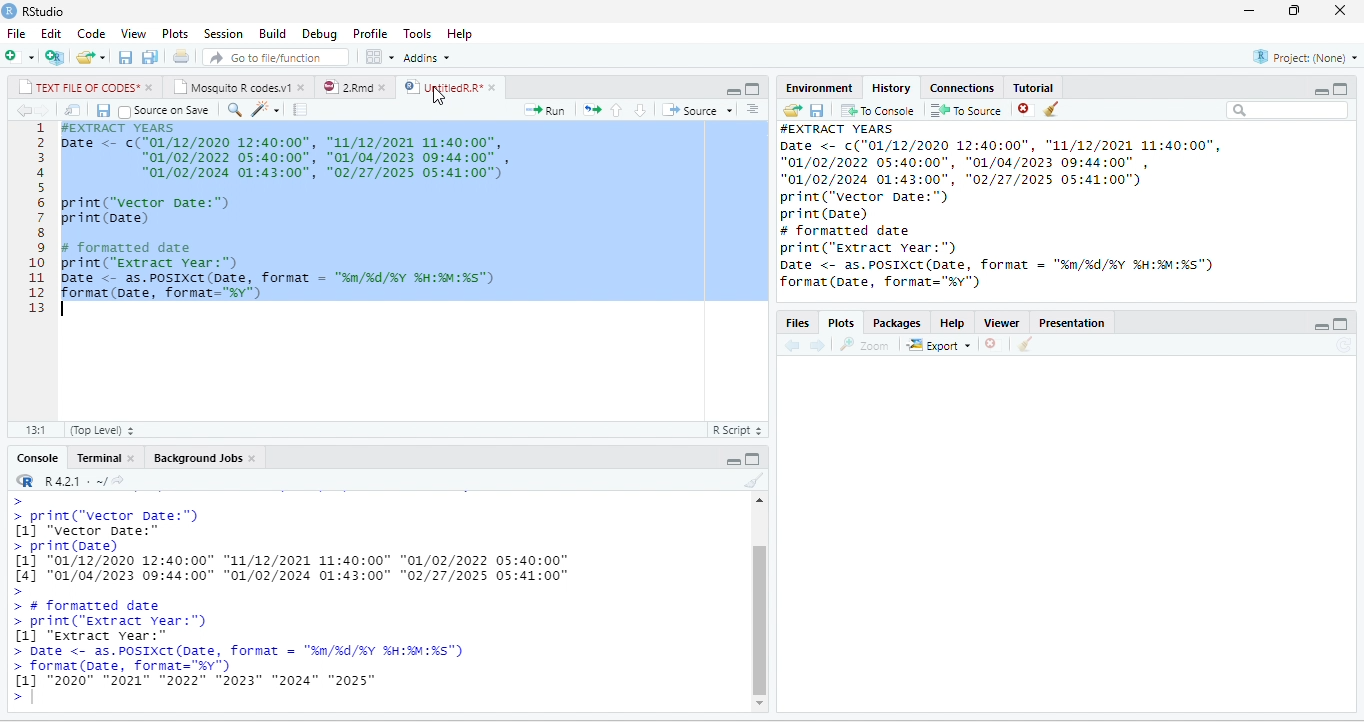  I want to click on close, so click(132, 457).